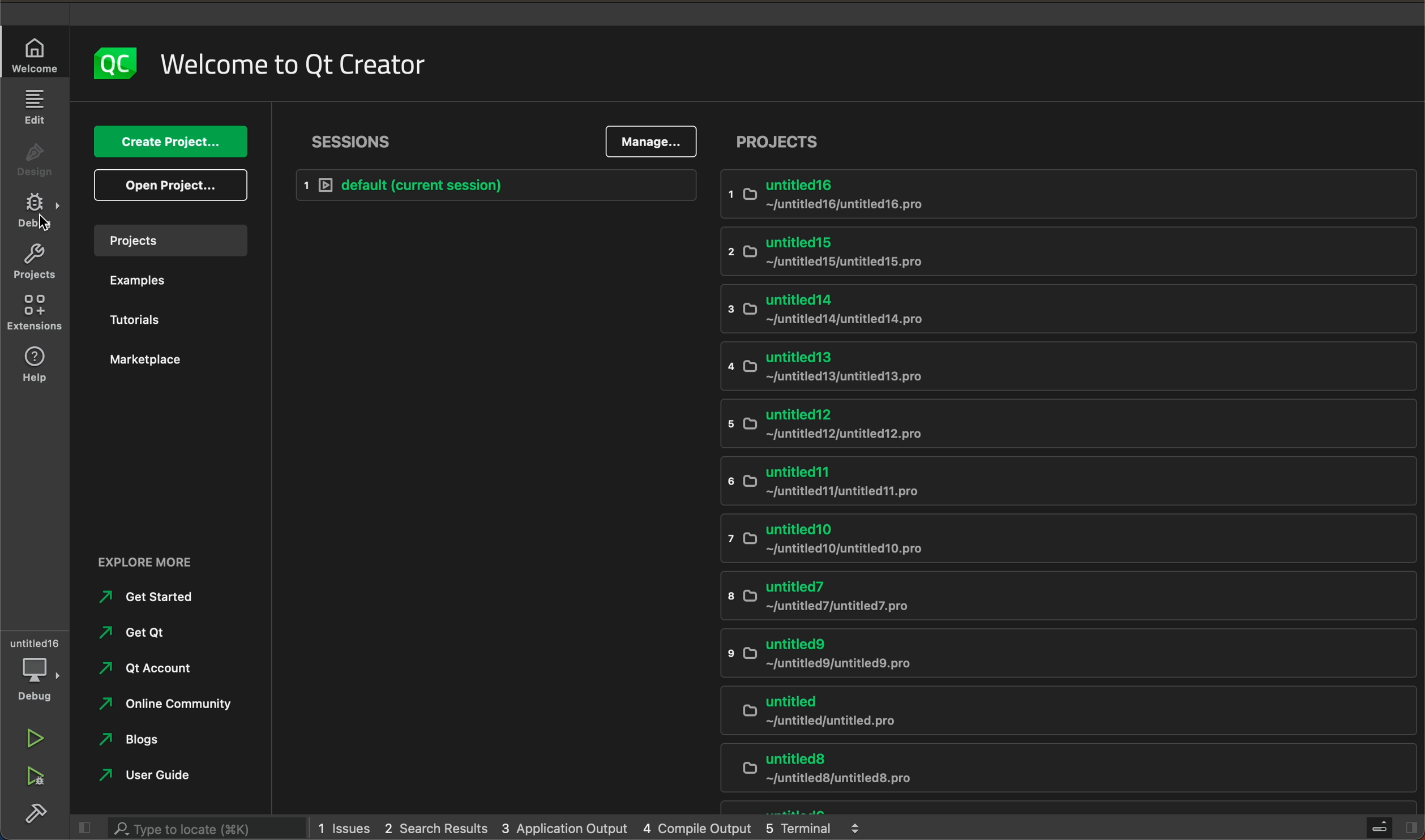  What do you see at coordinates (173, 183) in the screenshot?
I see `open project` at bounding box center [173, 183].